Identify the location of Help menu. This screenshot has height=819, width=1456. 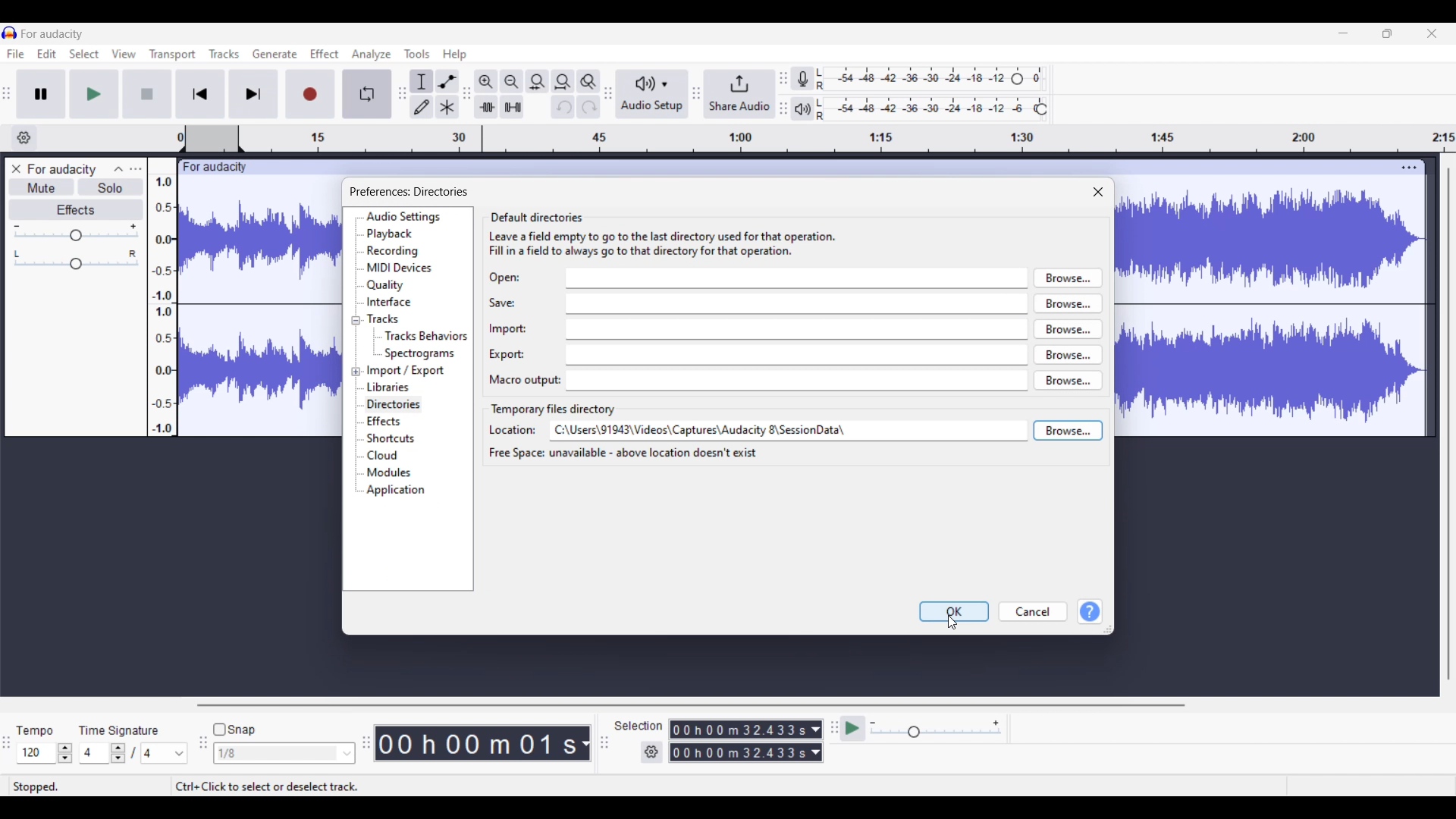
(455, 55).